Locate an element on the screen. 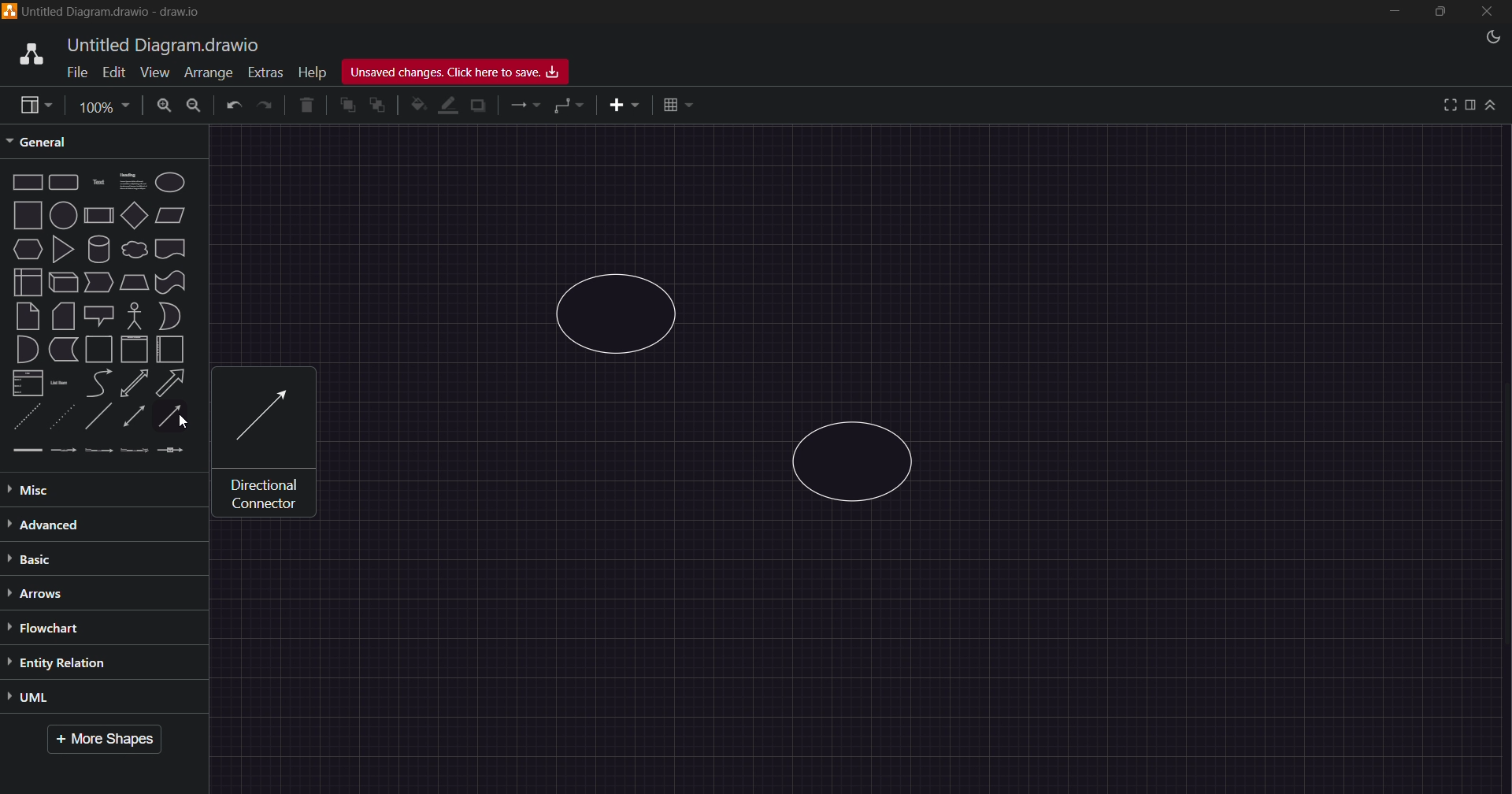 The width and height of the screenshot is (1512, 794). text is located at coordinates (263, 494).